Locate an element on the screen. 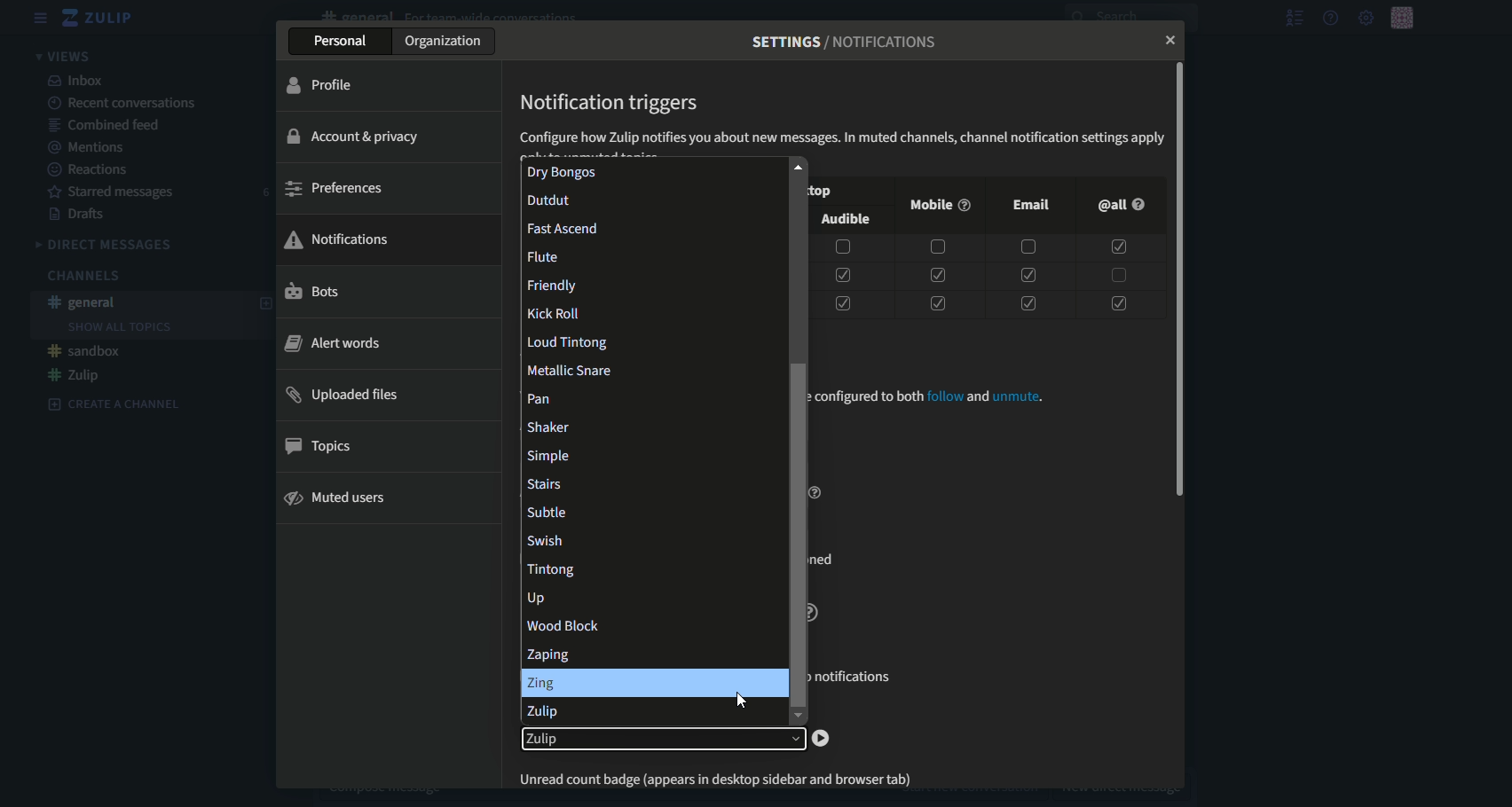 This screenshot has width=1512, height=807. menu is located at coordinates (41, 18).